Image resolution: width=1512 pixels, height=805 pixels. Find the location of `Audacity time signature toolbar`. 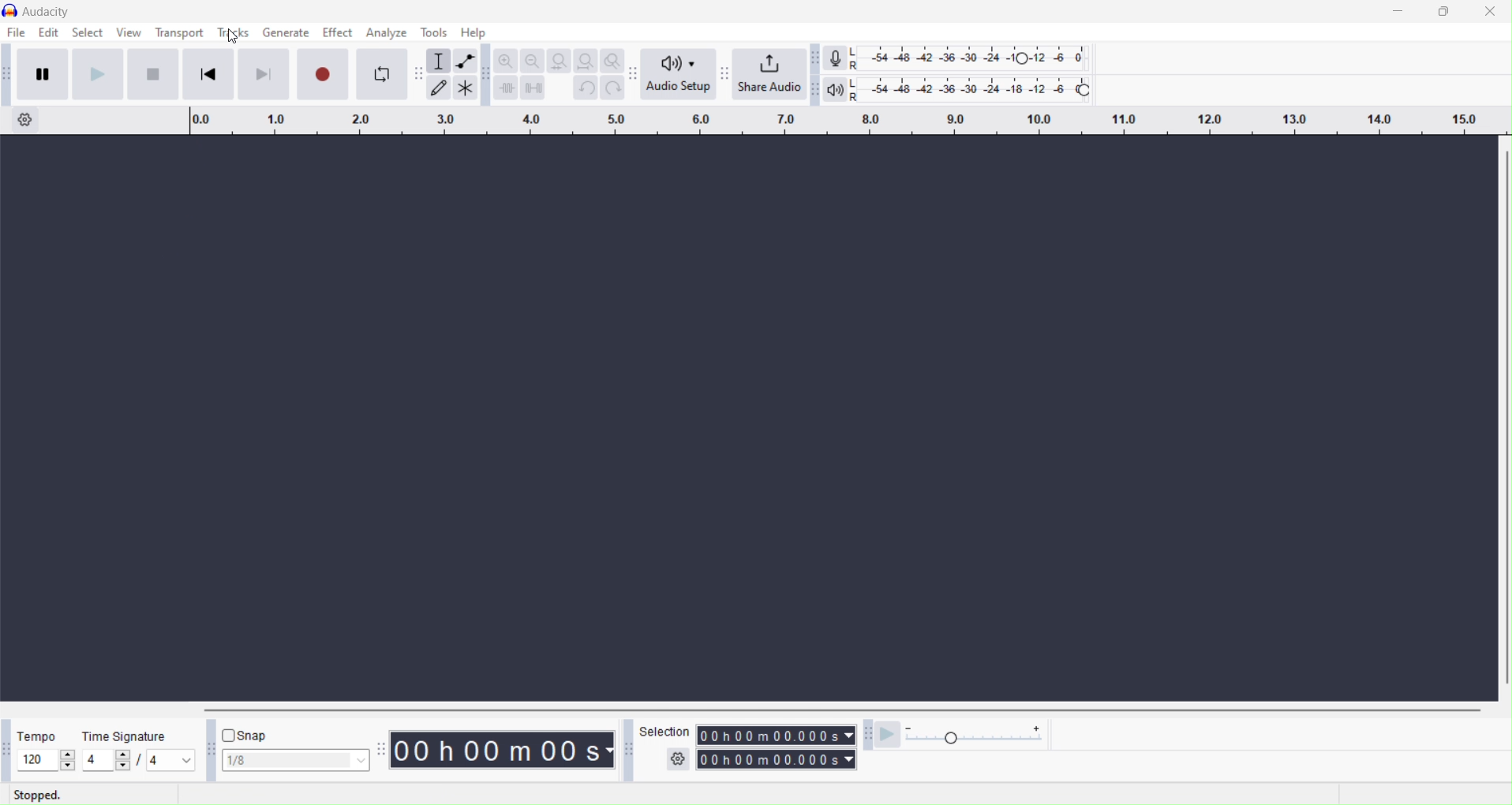

Audacity time signature toolbar is located at coordinates (5, 750).